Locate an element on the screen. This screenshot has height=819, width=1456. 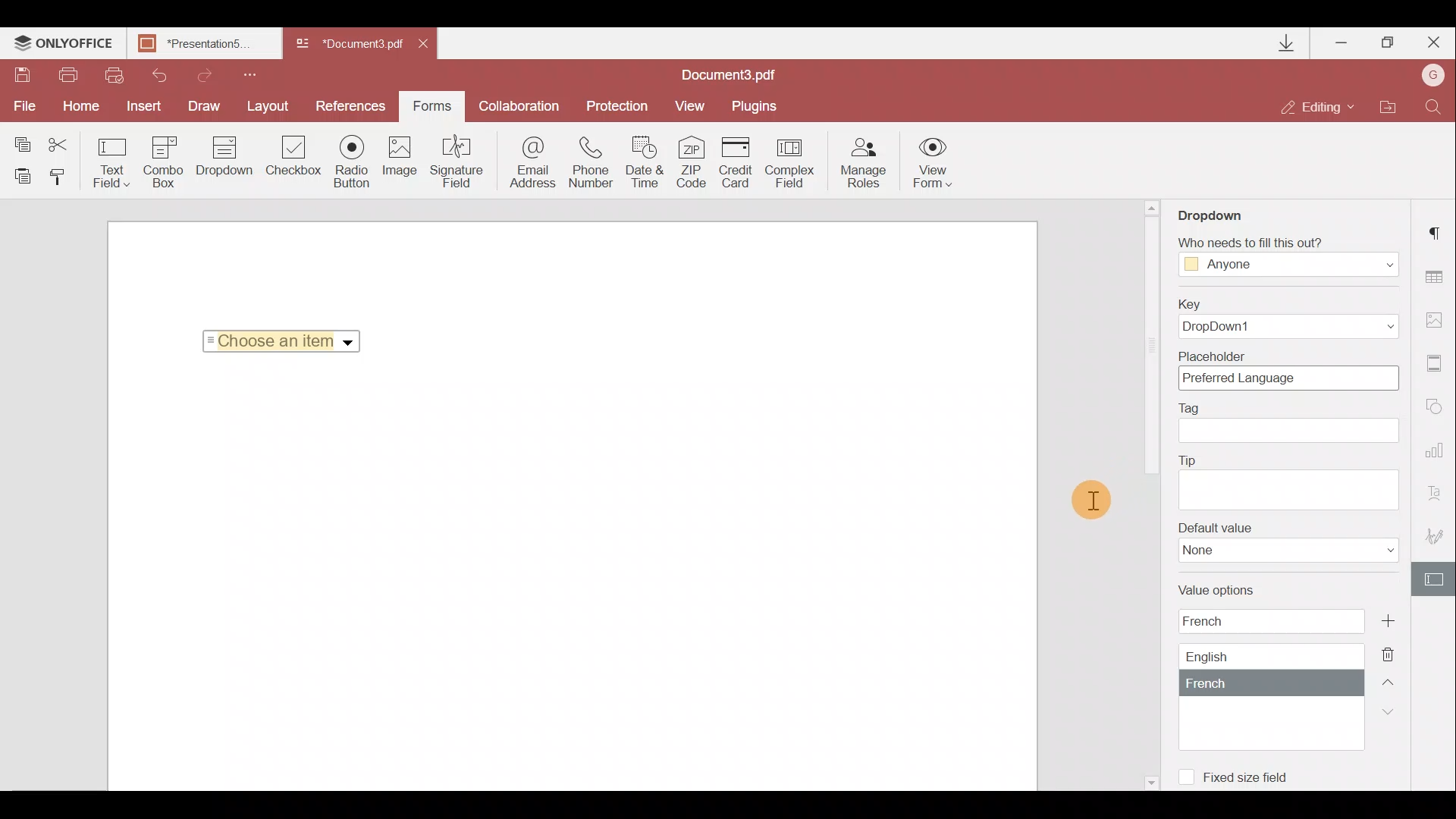
Copy style is located at coordinates (62, 176).